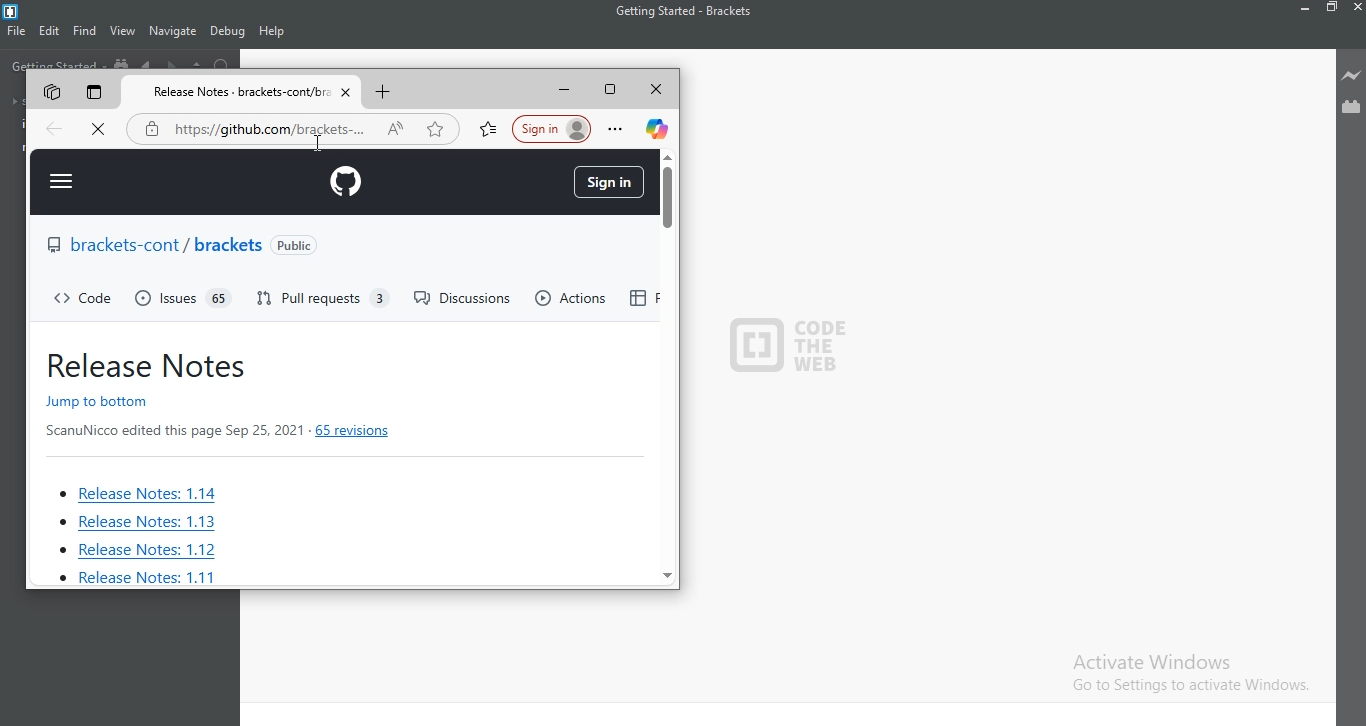  Describe the element at coordinates (96, 91) in the screenshot. I see `plugin manager` at that location.